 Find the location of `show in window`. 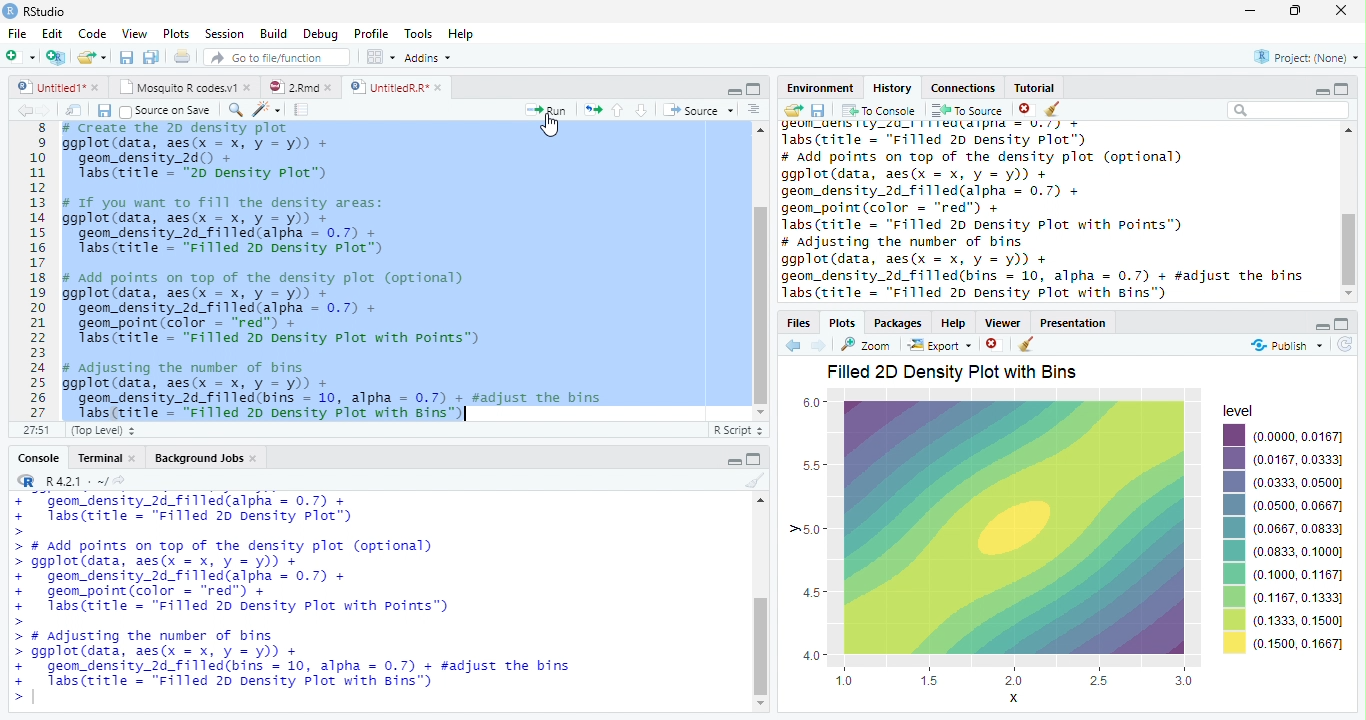

show in window is located at coordinates (75, 111).